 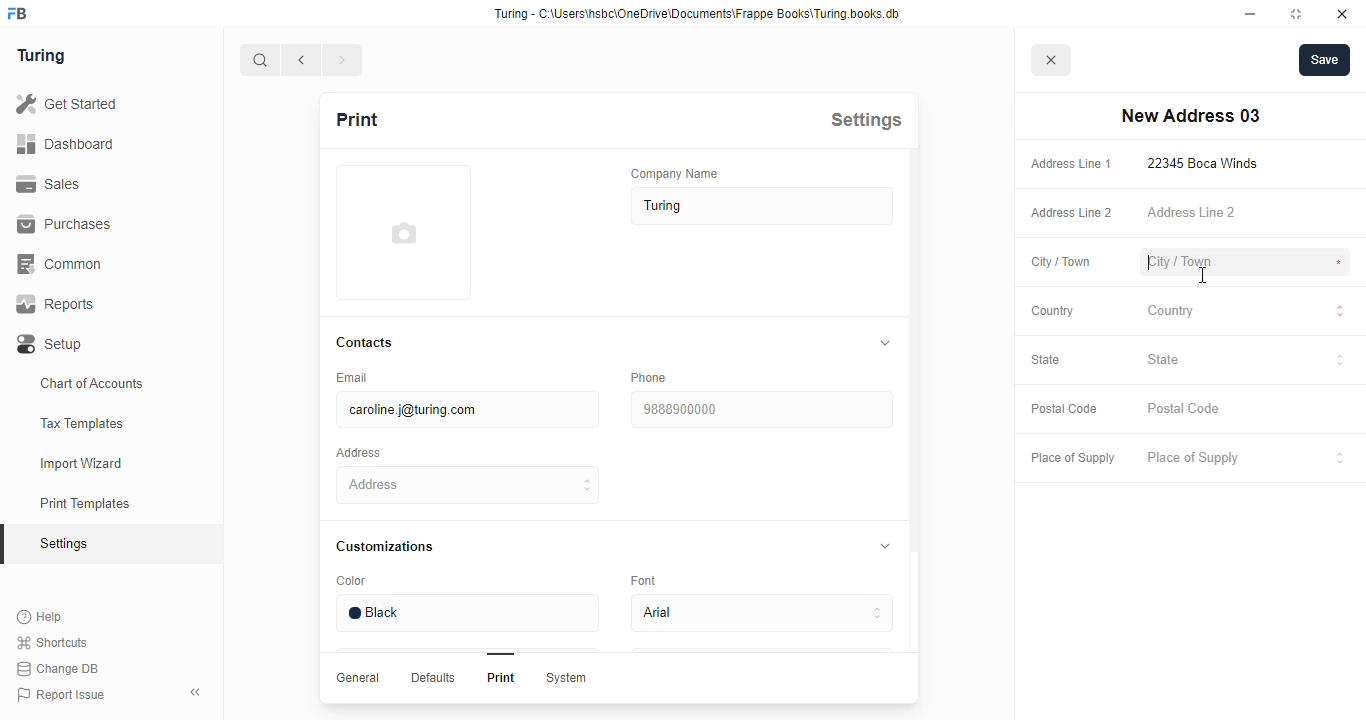 I want to click on 22345 Boca Winds, so click(x=1207, y=163).